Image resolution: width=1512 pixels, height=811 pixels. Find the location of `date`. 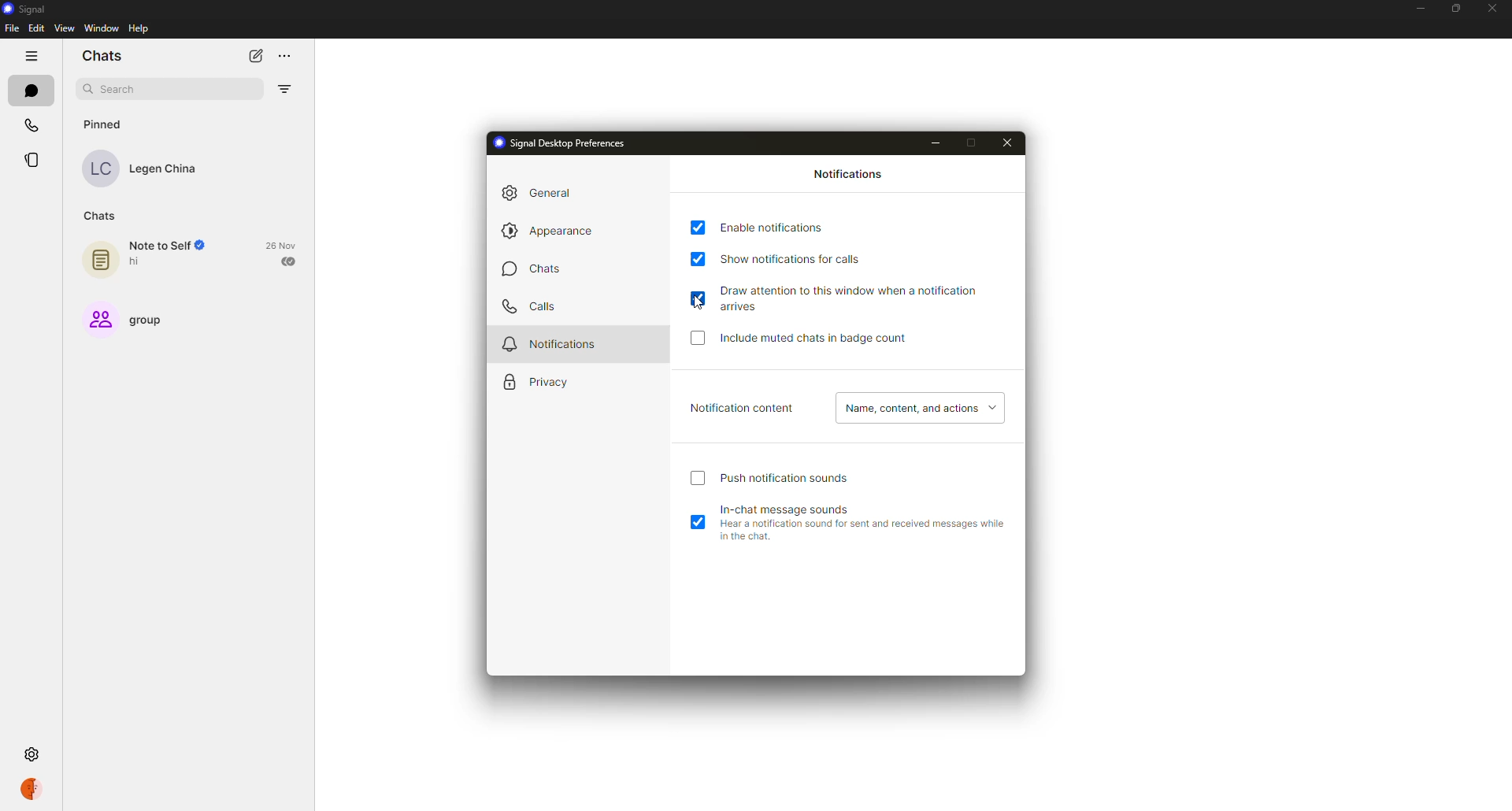

date is located at coordinates (283, 244).